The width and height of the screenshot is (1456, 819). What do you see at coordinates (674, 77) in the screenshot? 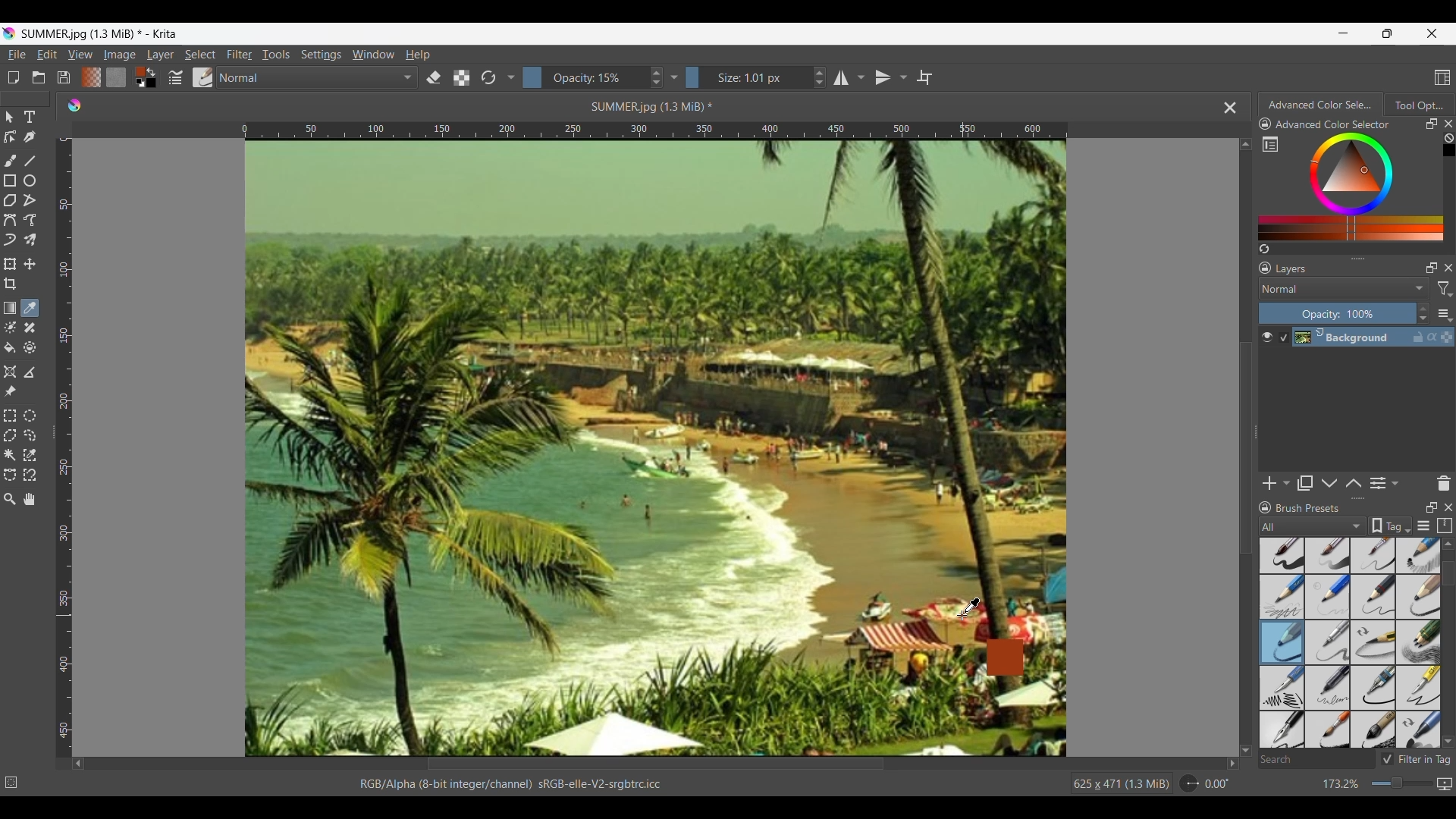
I see `Settings dropdown` at bounding box center [674, 77].